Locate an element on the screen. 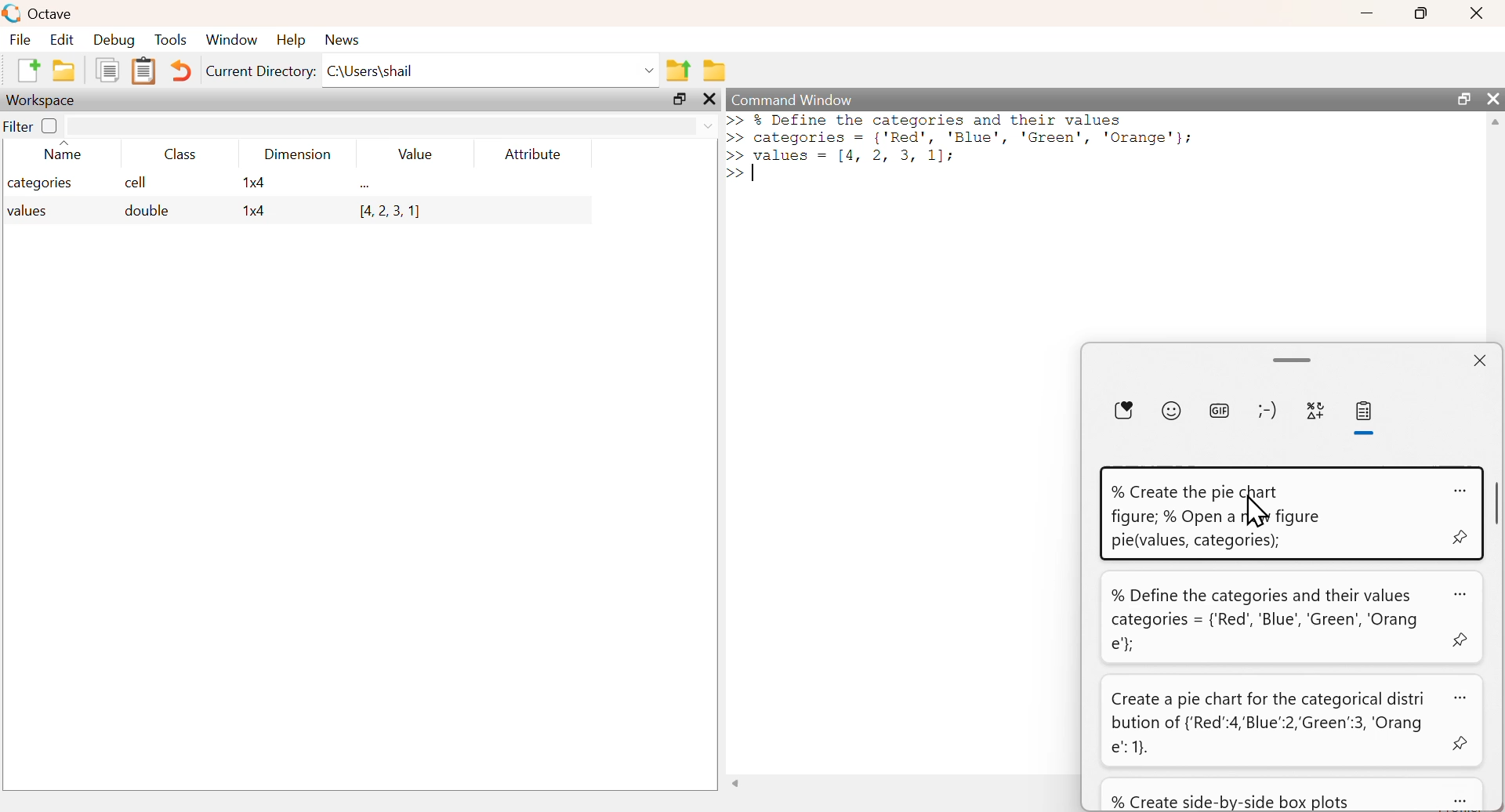 This screenshot has width=1505, height=812. categories is located at coordinates (44, 183).